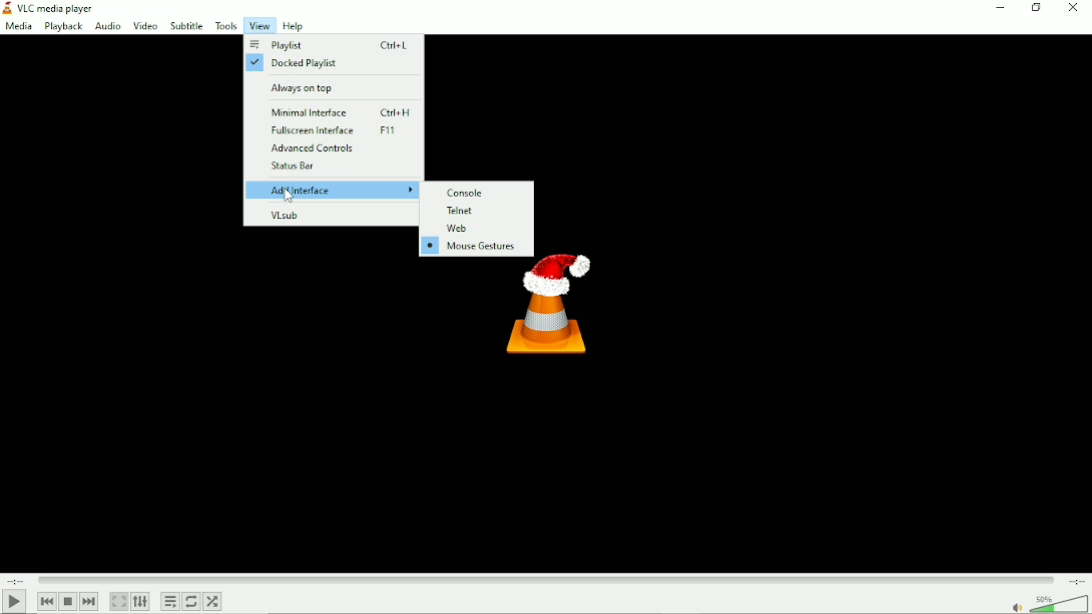  What do you see at coordinates (333, 190) in the screenshot?
I see `Add interface` at bounding box center [333, 190].